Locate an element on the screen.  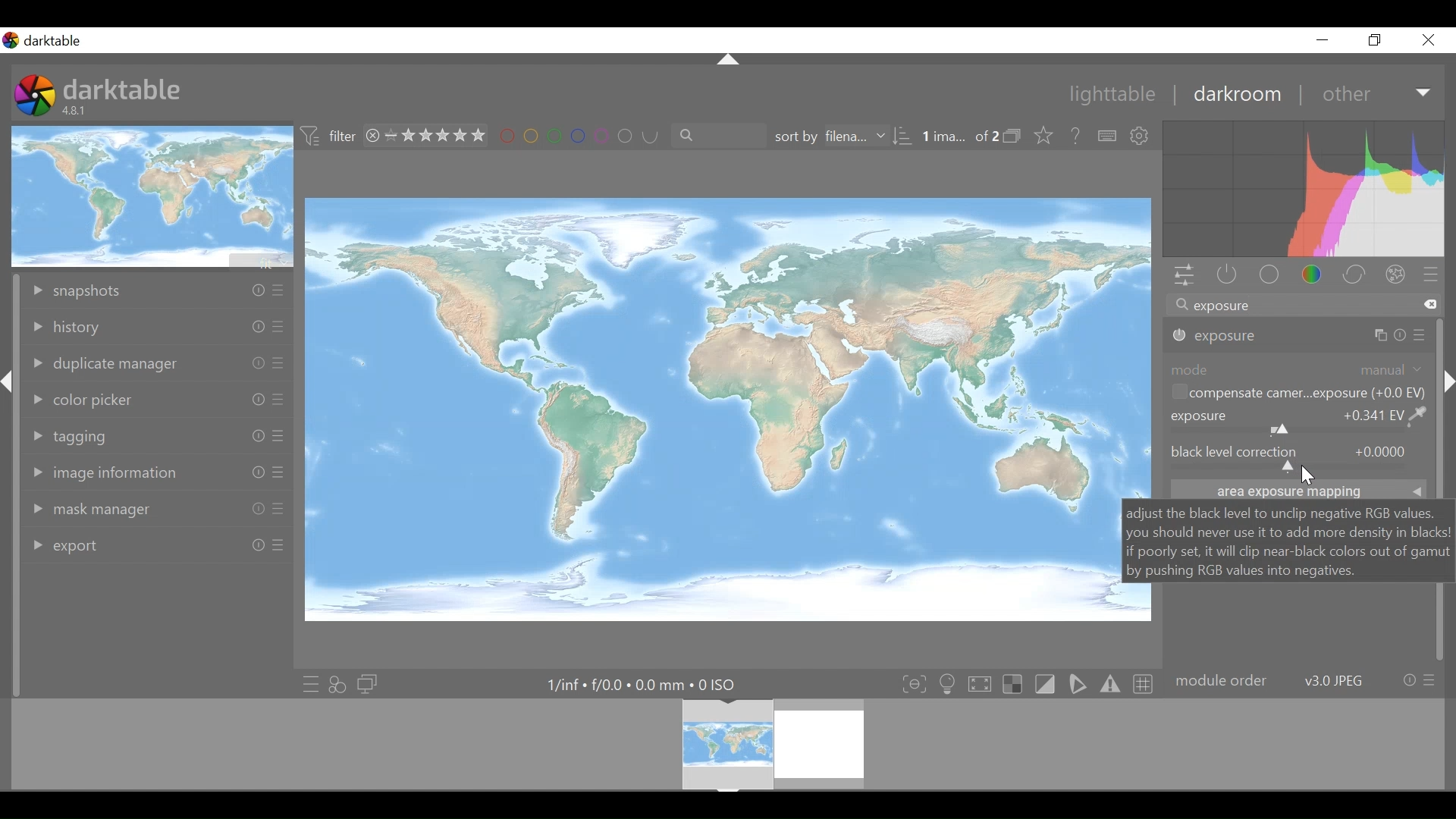
manual is located at coordinates (1389, 369).